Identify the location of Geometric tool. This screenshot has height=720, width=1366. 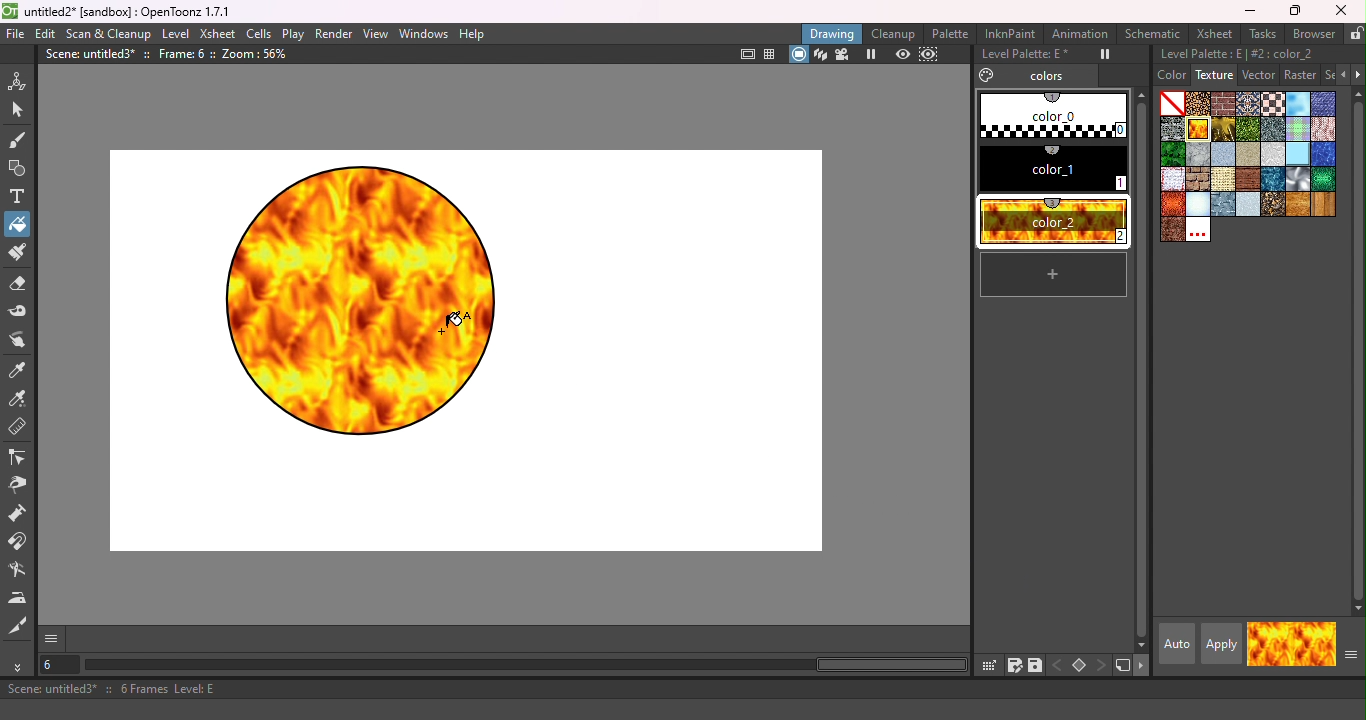
(19, 168).